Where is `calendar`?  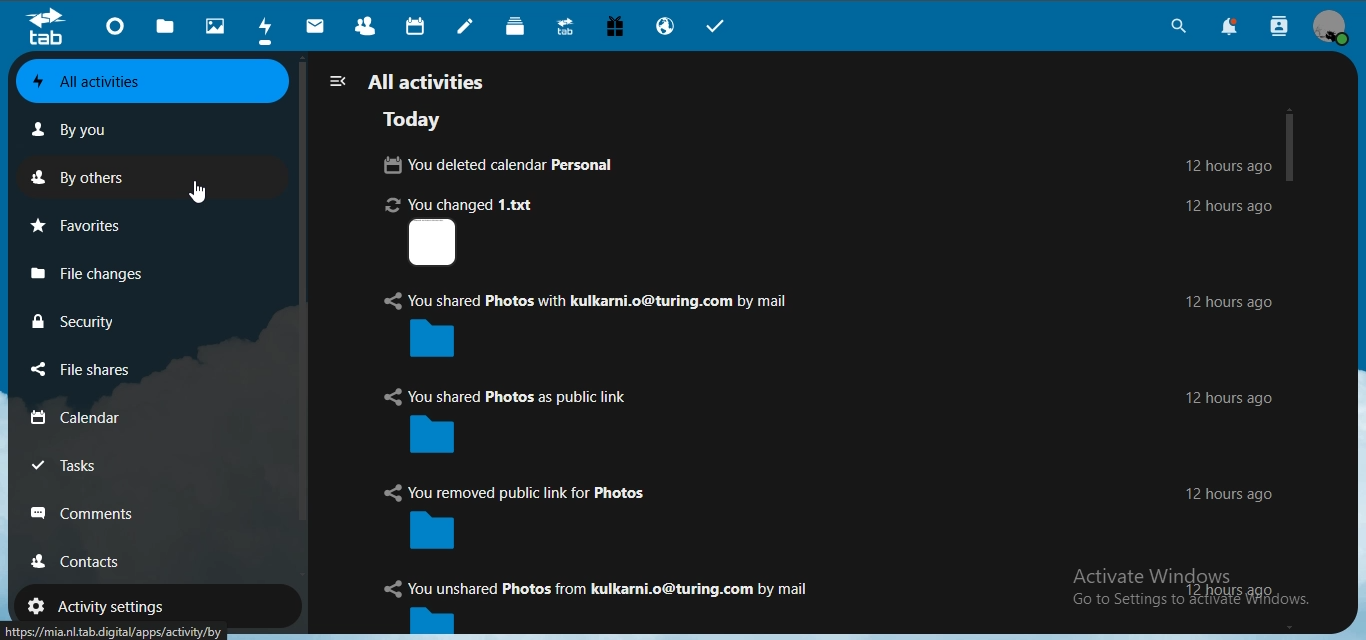
calendar is located at coordinates (86, 416).